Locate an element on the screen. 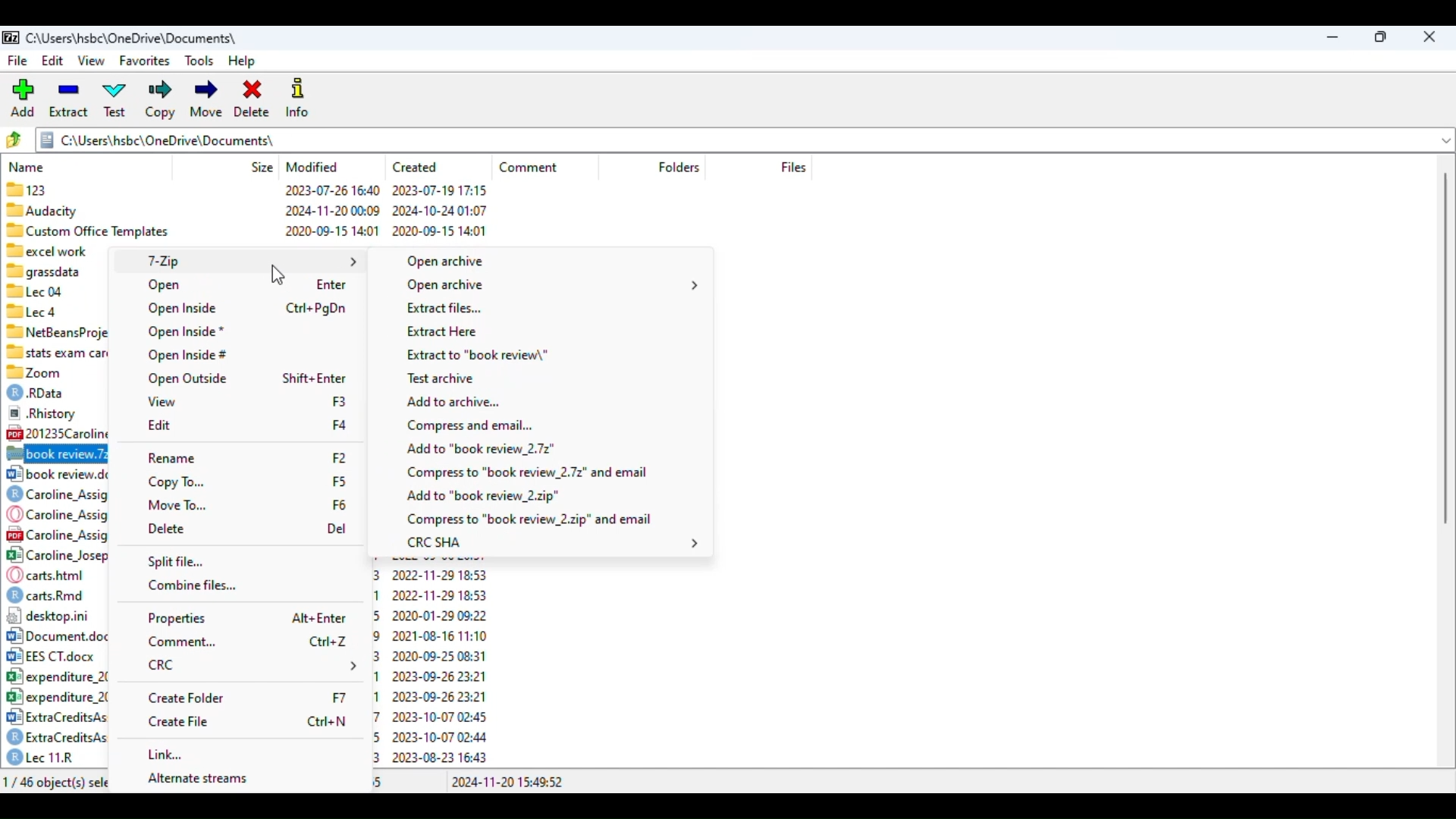  view is located at coordinates (163, 402).